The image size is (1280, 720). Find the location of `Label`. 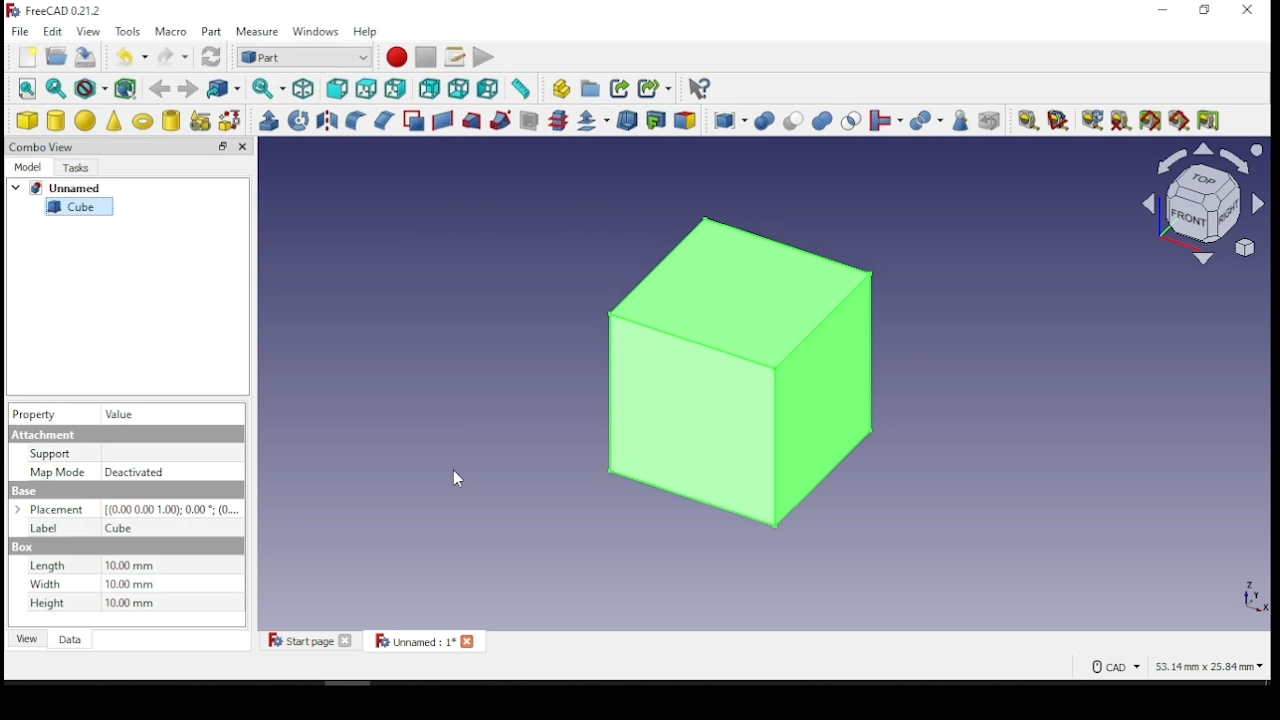

Label is located at coordinates (45, 529).